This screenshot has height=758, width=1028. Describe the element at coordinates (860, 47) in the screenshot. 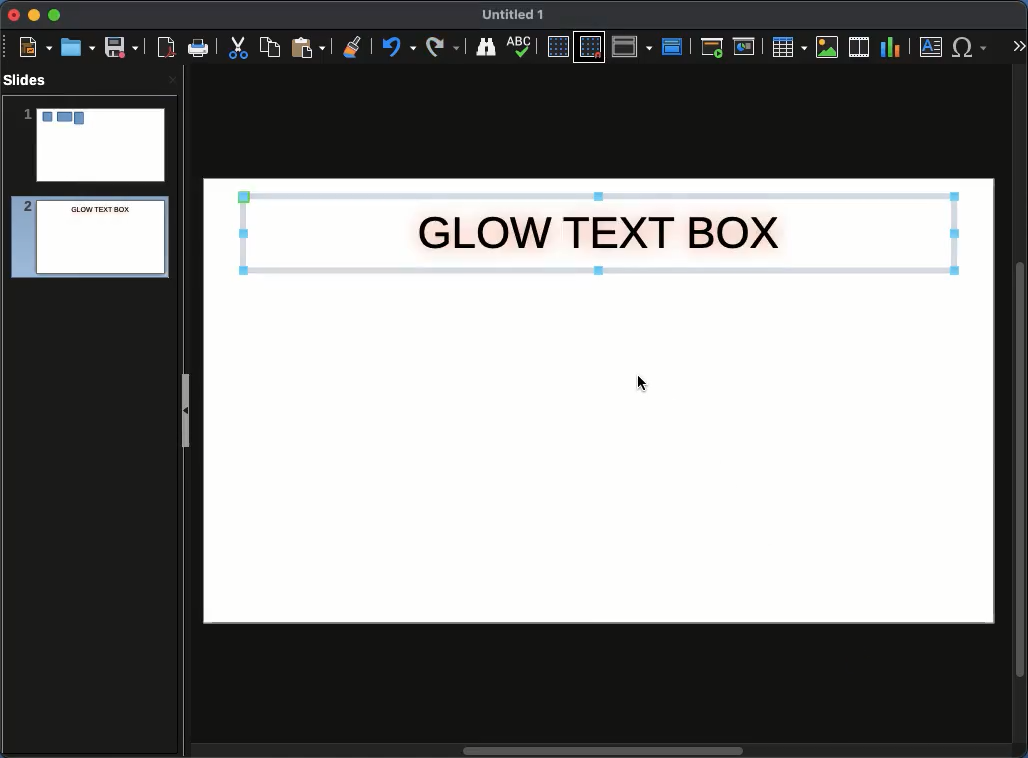

I see `Audio or video` at that location.